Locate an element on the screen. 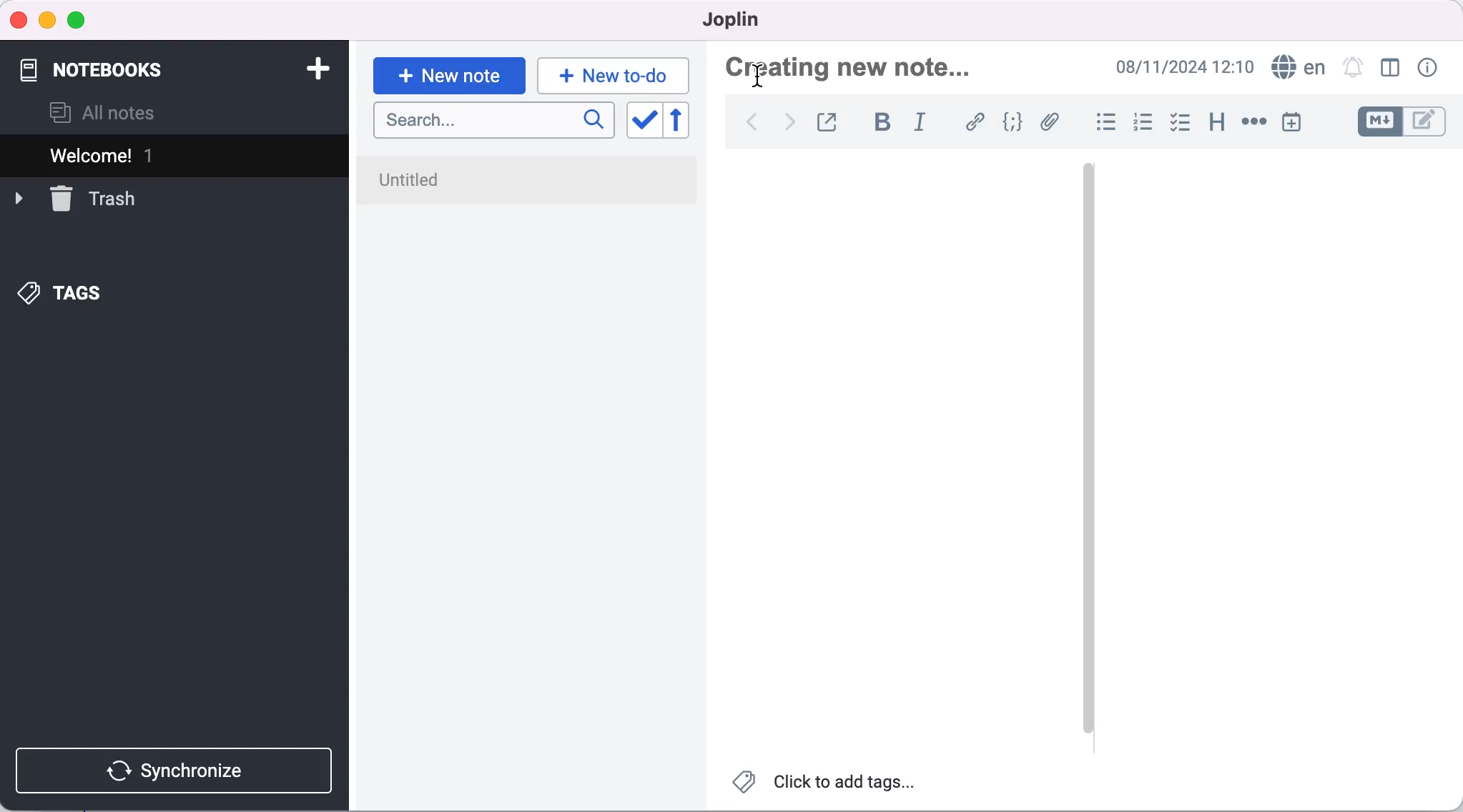 This screenshot has height=812, width=1463. horizontal rule is located at coordinates (1253, 123).